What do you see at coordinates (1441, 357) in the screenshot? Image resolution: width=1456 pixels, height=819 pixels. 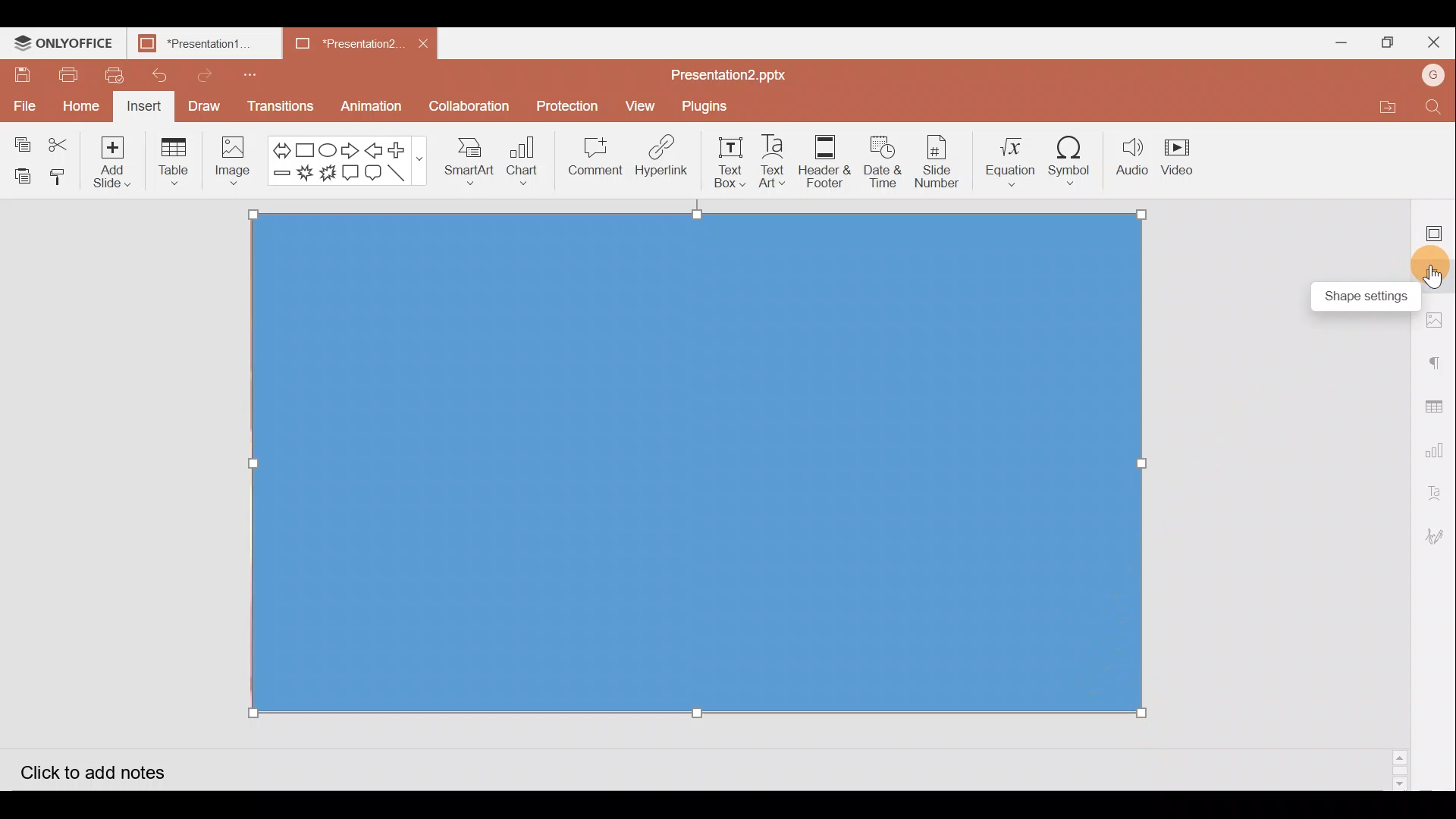 I see `Paragraph settings` at bounding box center [1441, 357].